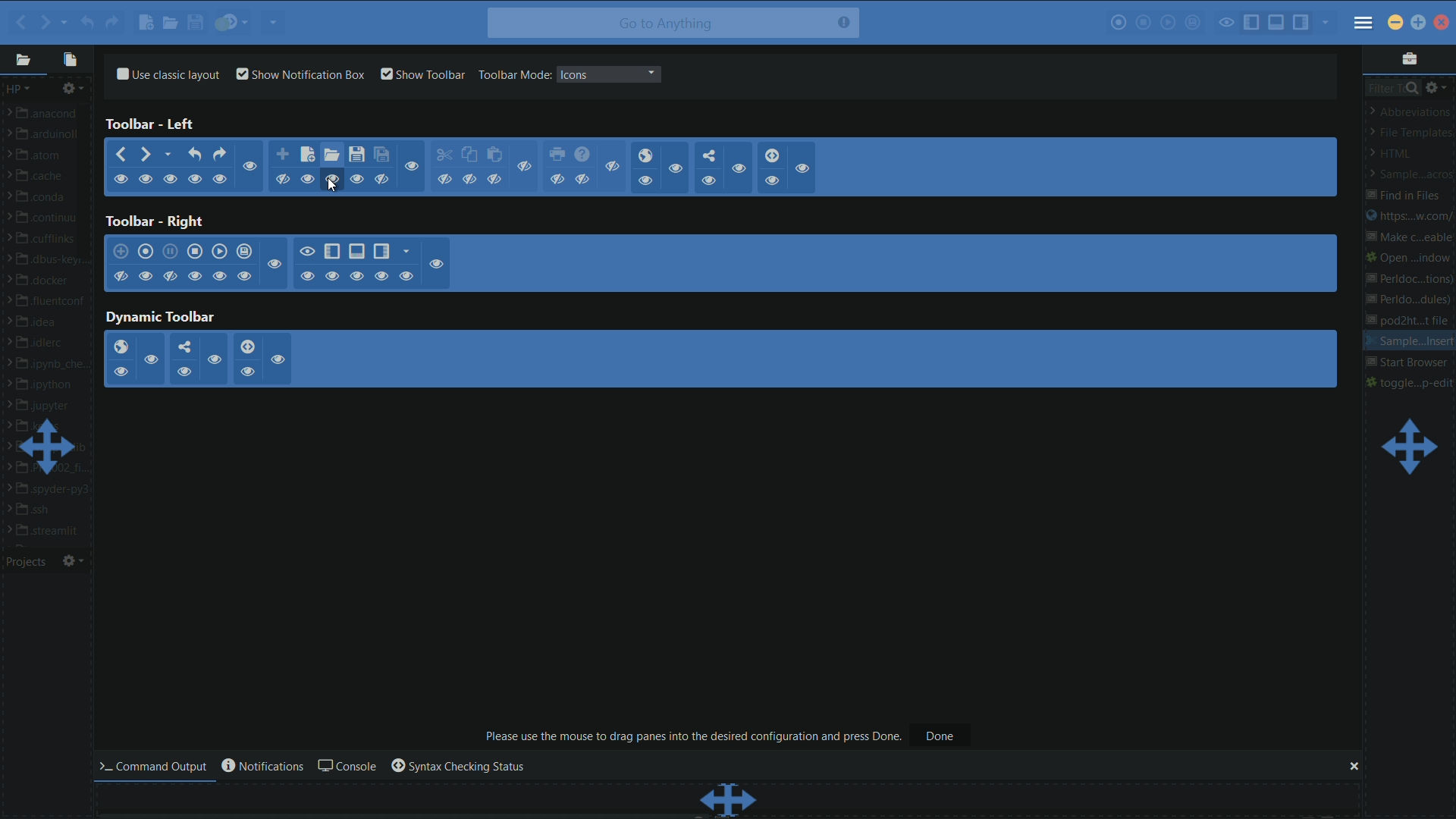 Image resolution: width=1456 pixels, height=819 pixels. Describe the element at coordinates (1404, 196) in the screenshot. I see `find in files` at that location.